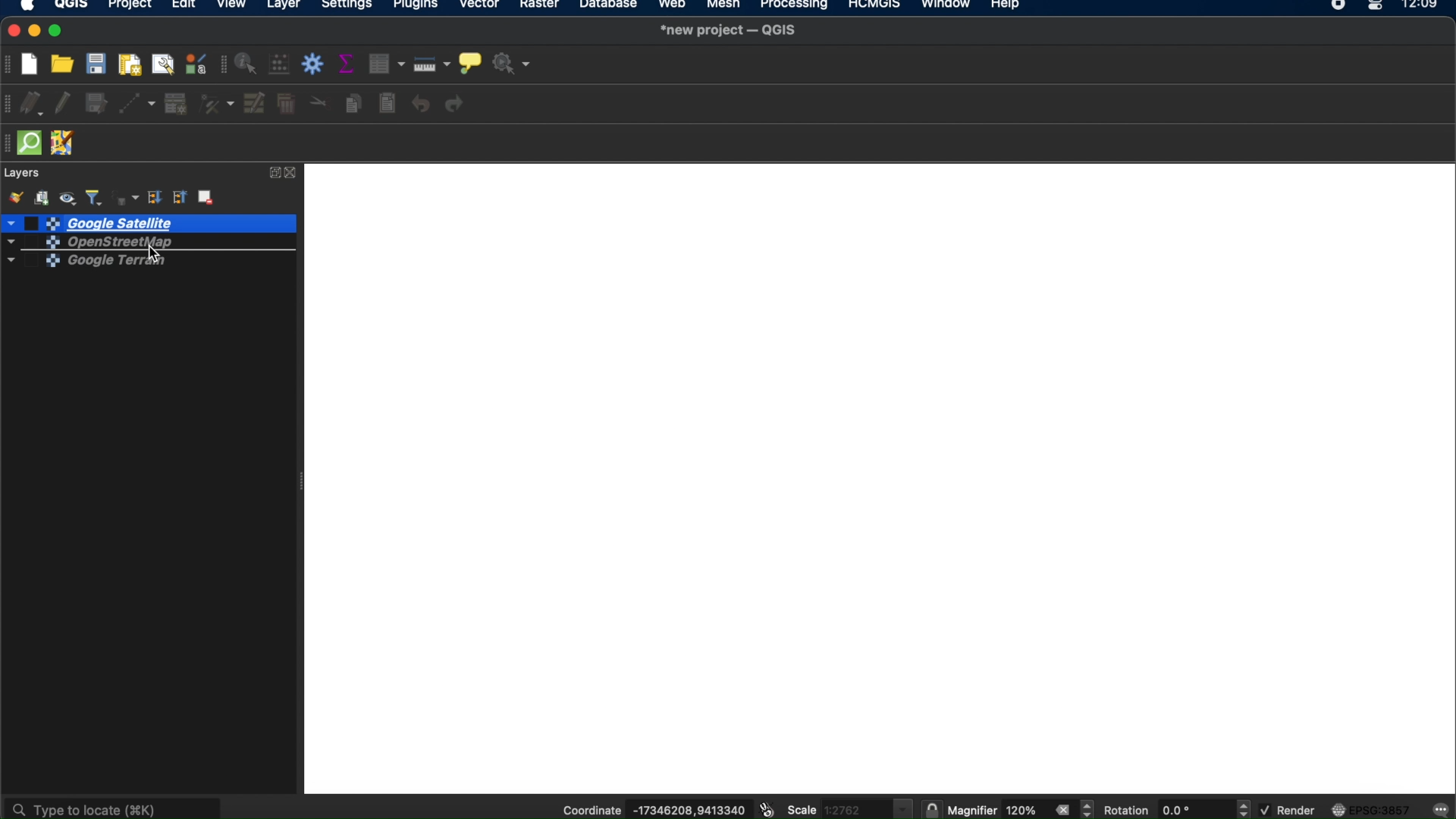 The width and height of the screenshot is (1456, 819). What do you see at coordinates (542, 7) in the screenshot?
I see `raster` at bounding box center [542, 7].